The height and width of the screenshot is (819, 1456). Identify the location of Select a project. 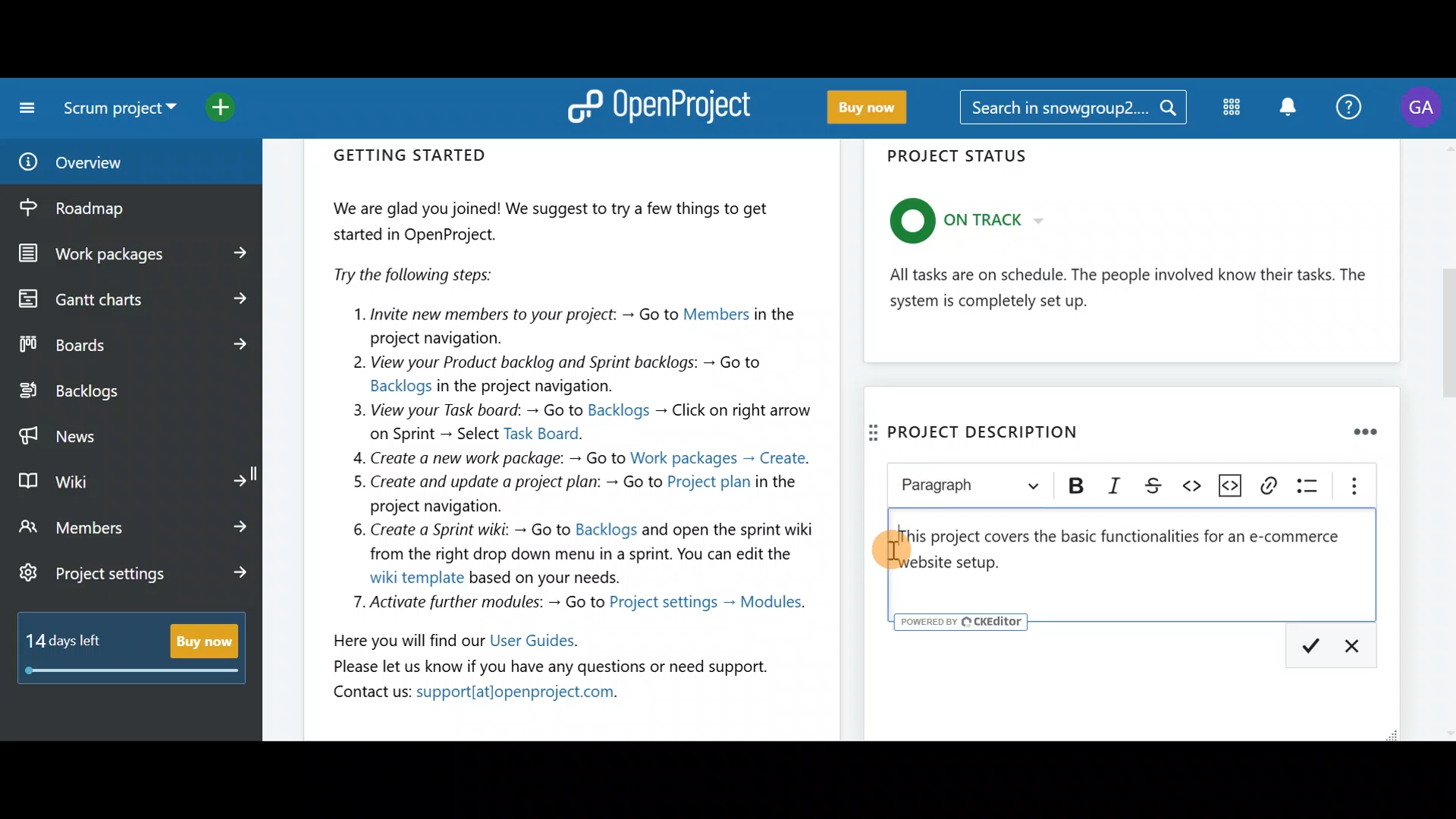
(123, 114).